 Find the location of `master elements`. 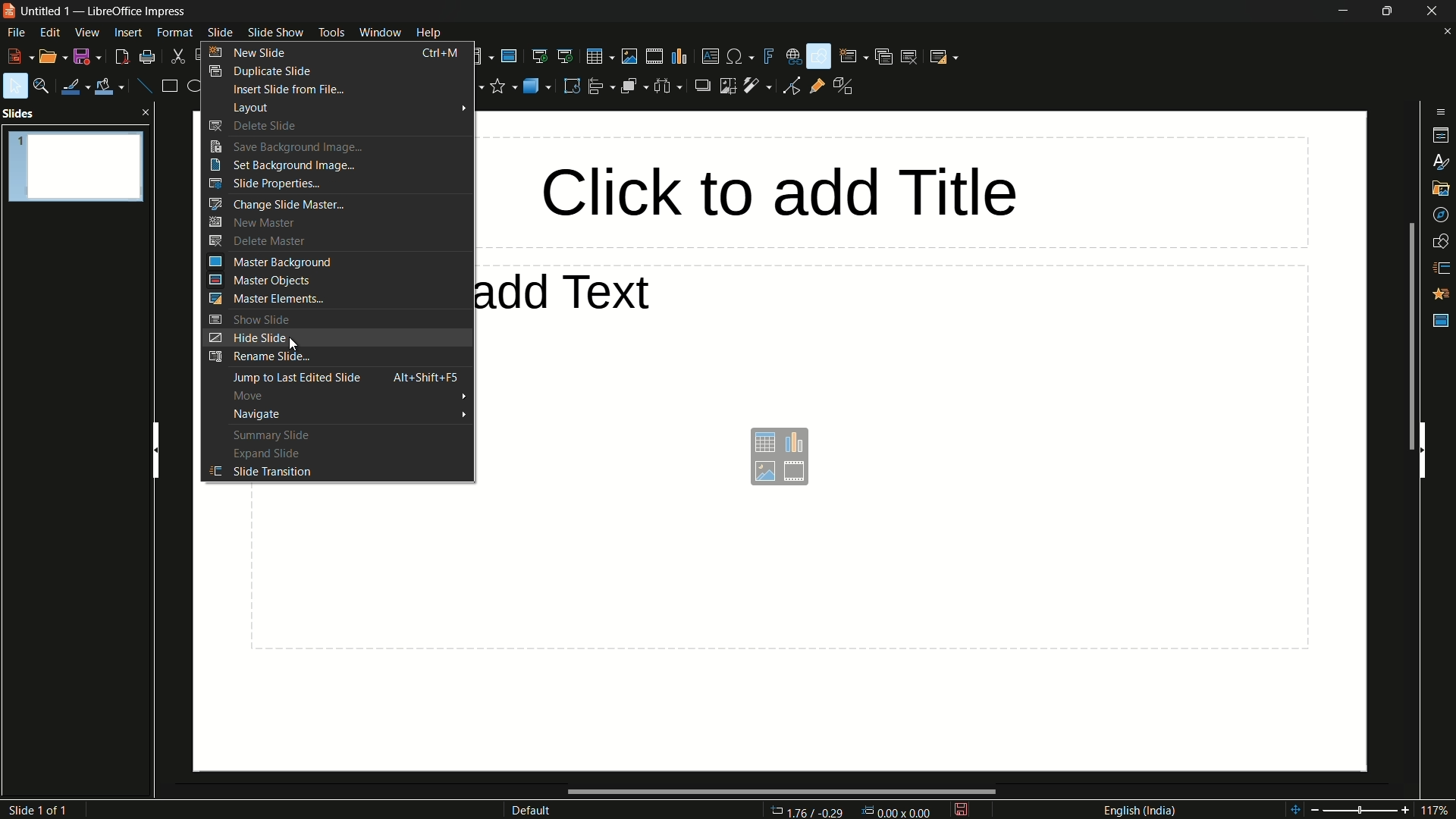

master elements is located at coordinates (265, 299).